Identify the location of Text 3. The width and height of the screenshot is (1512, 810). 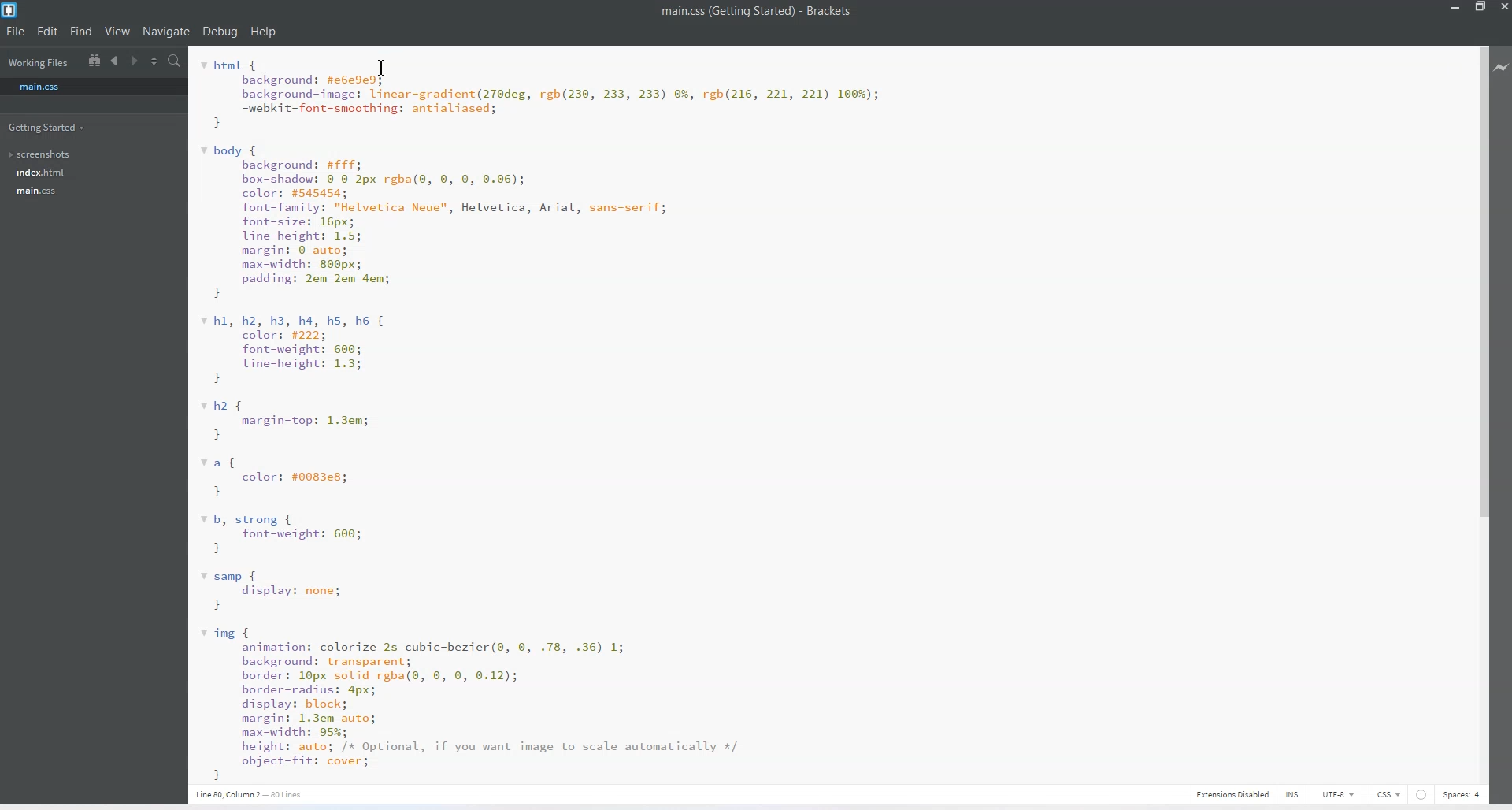
(252, 794).